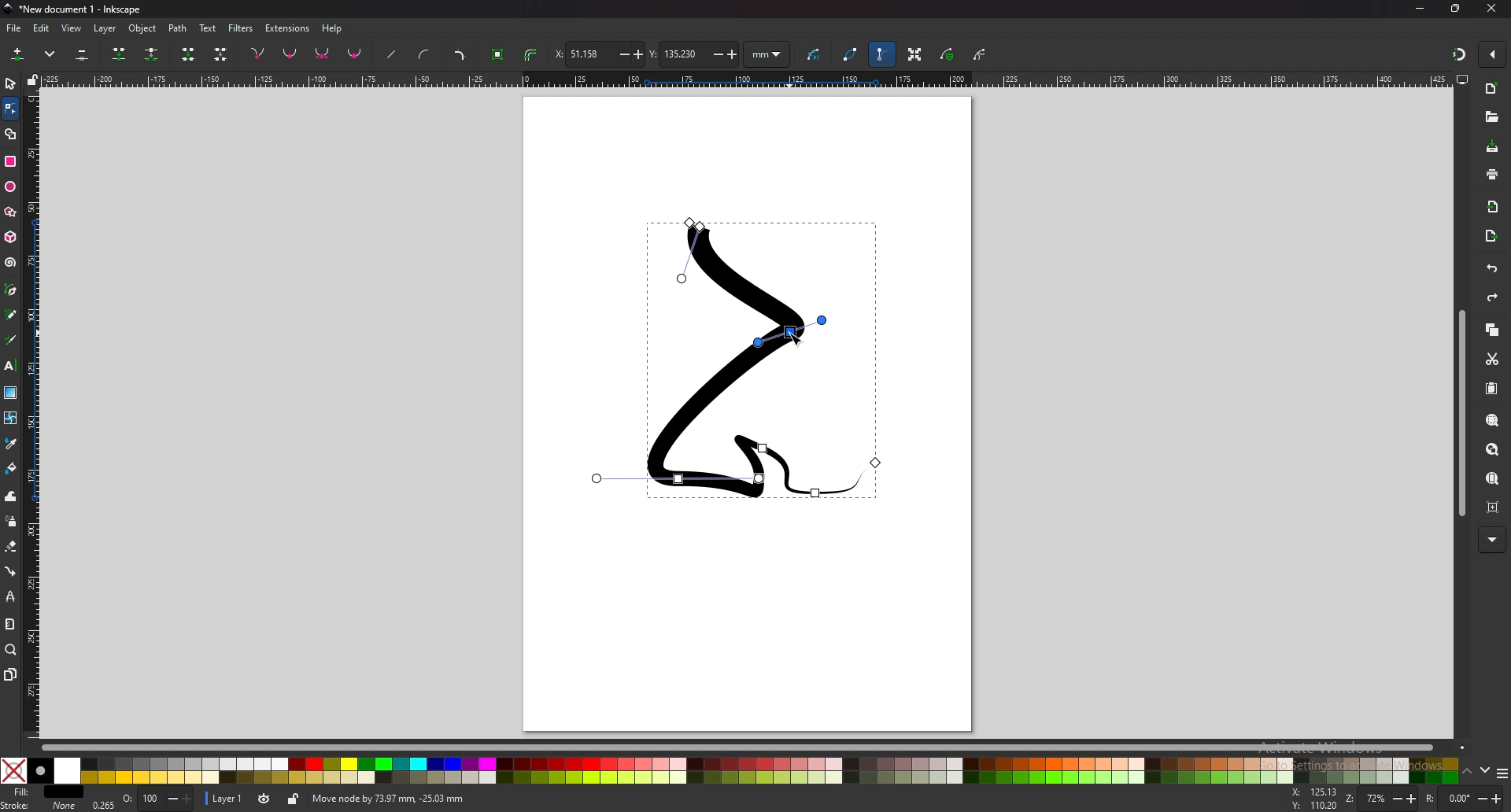 The height and width of the screenshot is (812, 1511). Describe the element at coordinates (11, 341) in the screenshot. I see `calligraphy` at that location.